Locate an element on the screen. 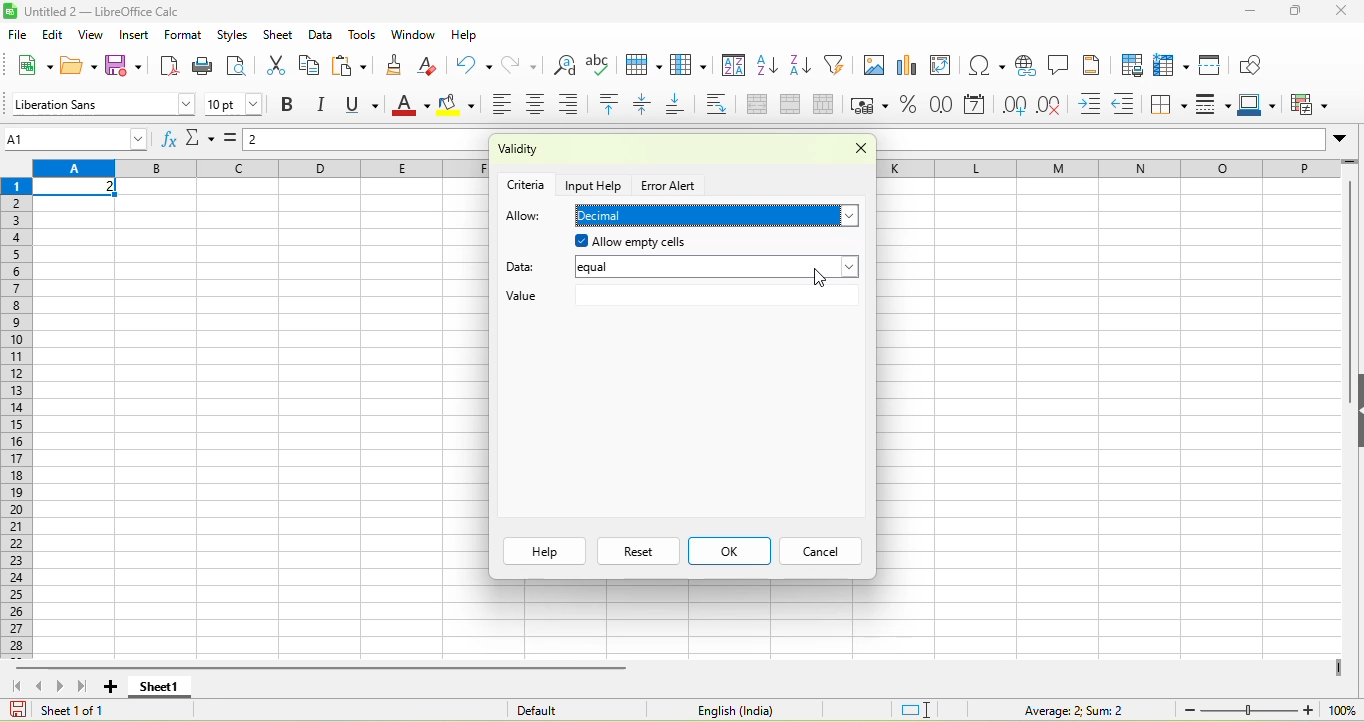 The height and width of the screenshot is (722, 1364). decrease indent is located at coordinates (1129, 106).